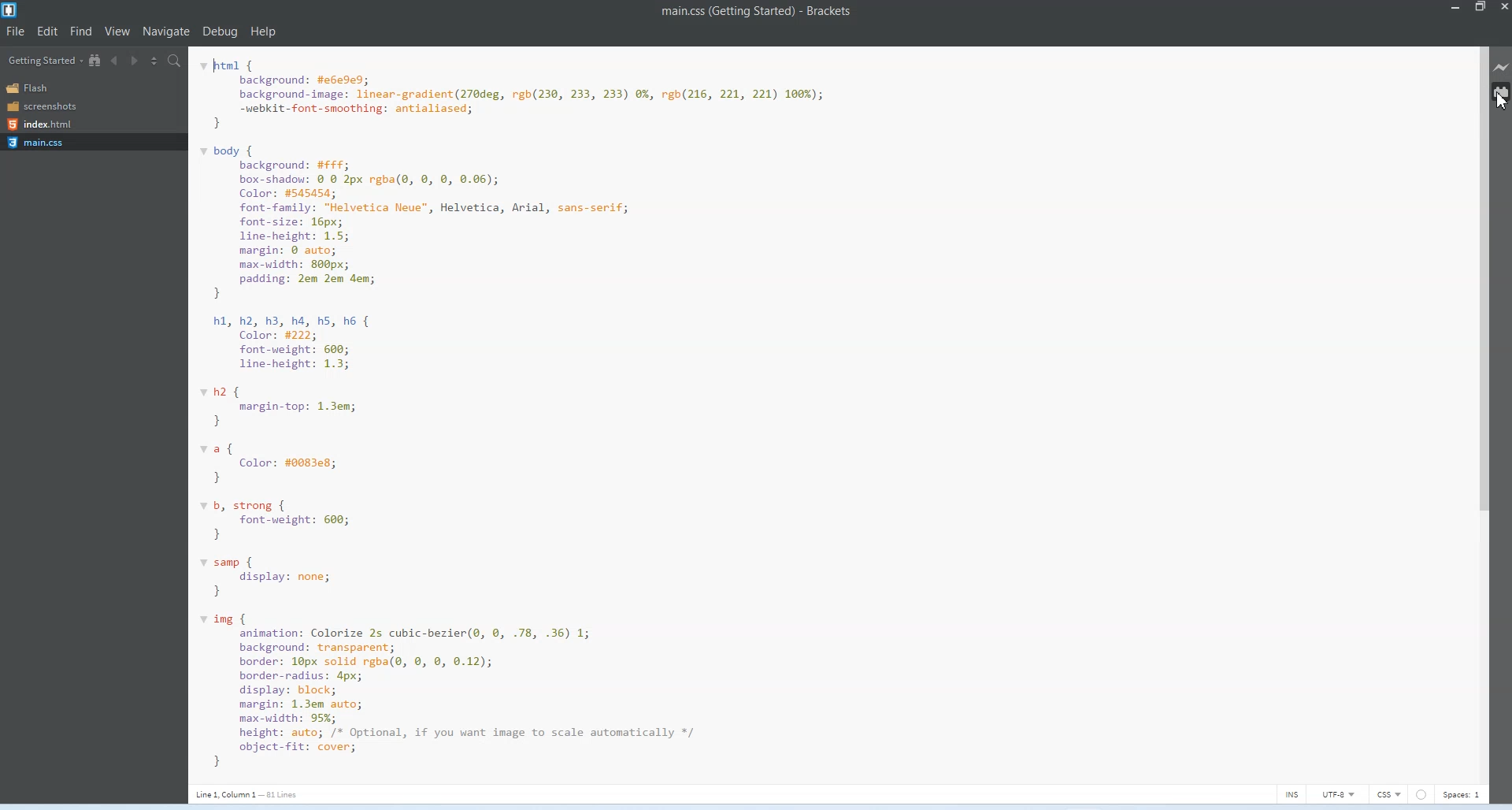 This screenshot has height=810, width=1512. I want to click on main.css (Getting Started) - Brackets, so click(770, 13).